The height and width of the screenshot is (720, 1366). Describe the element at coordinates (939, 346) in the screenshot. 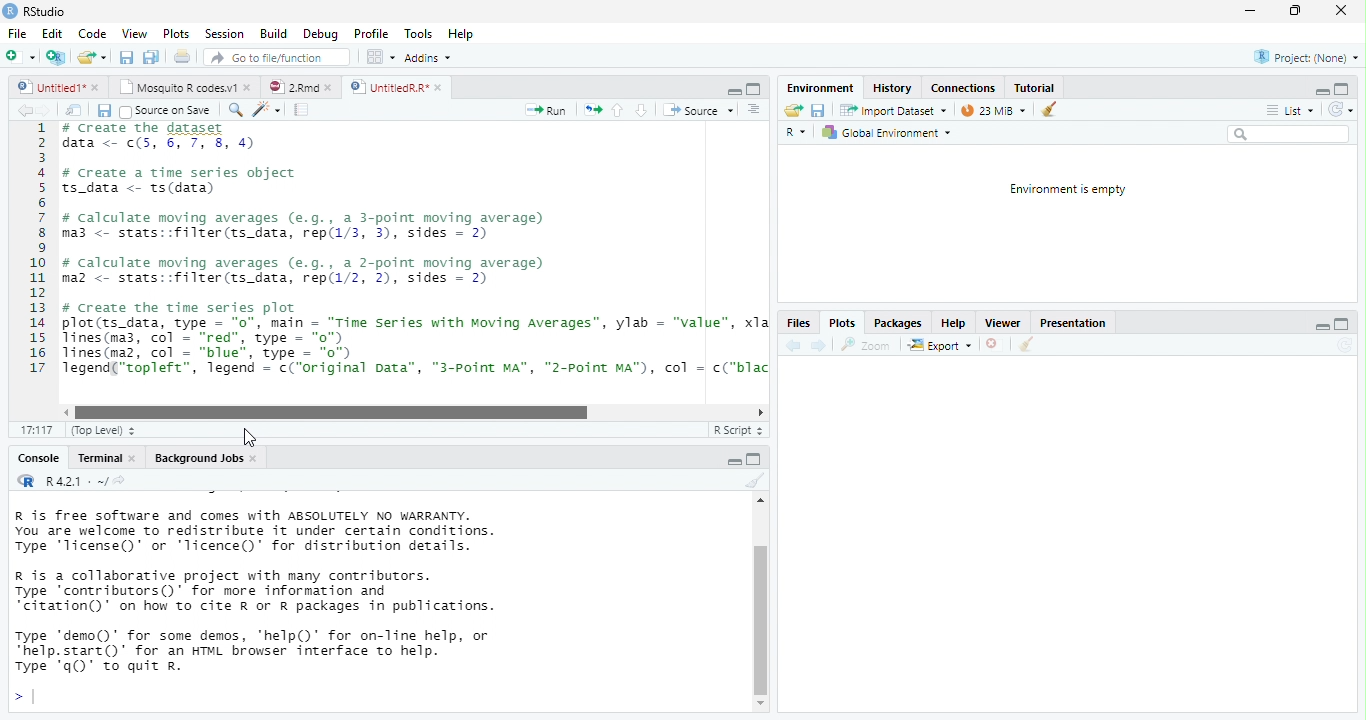

I see `export` at that location.